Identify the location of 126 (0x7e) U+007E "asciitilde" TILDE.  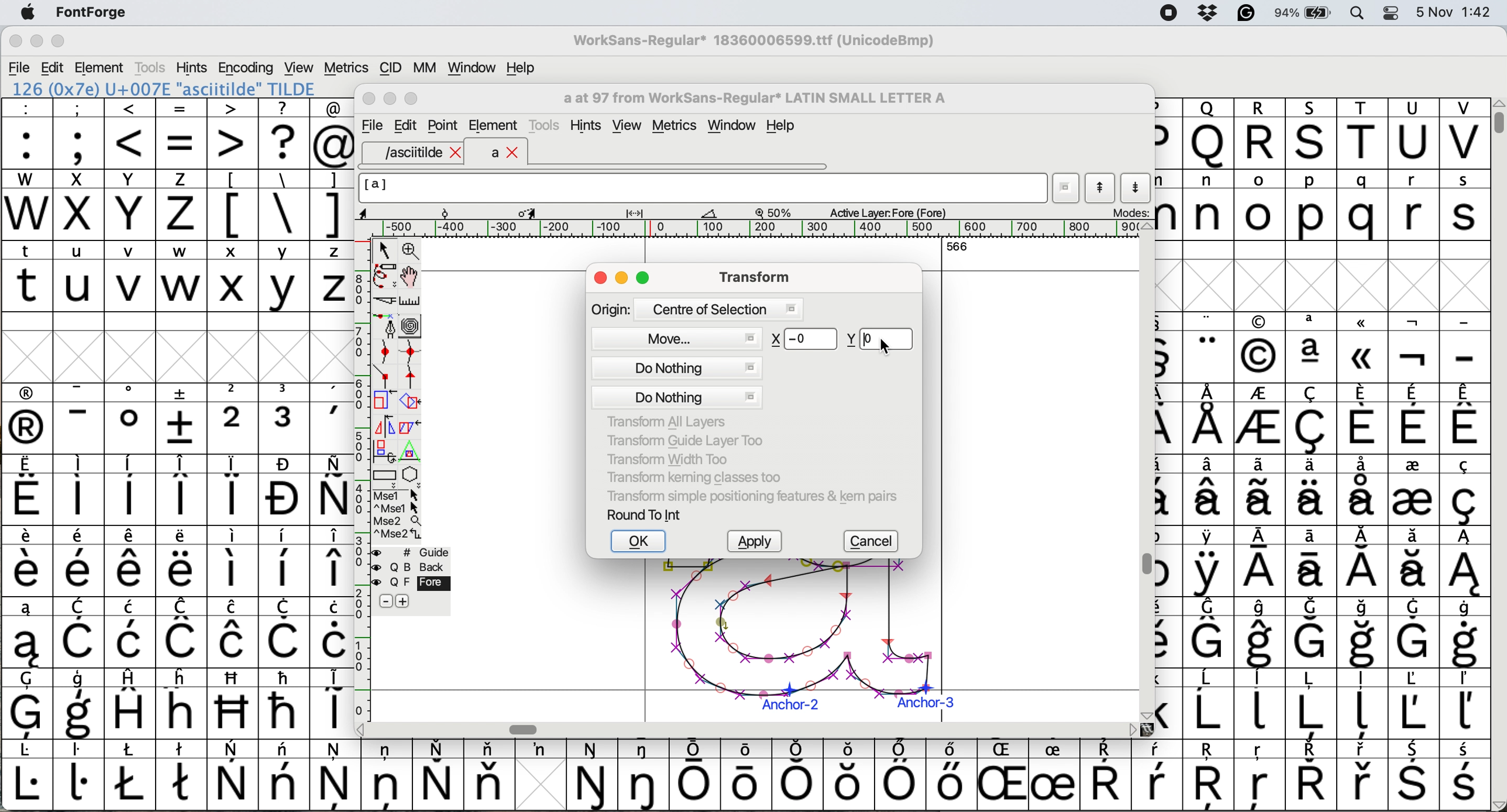
(165, 88).